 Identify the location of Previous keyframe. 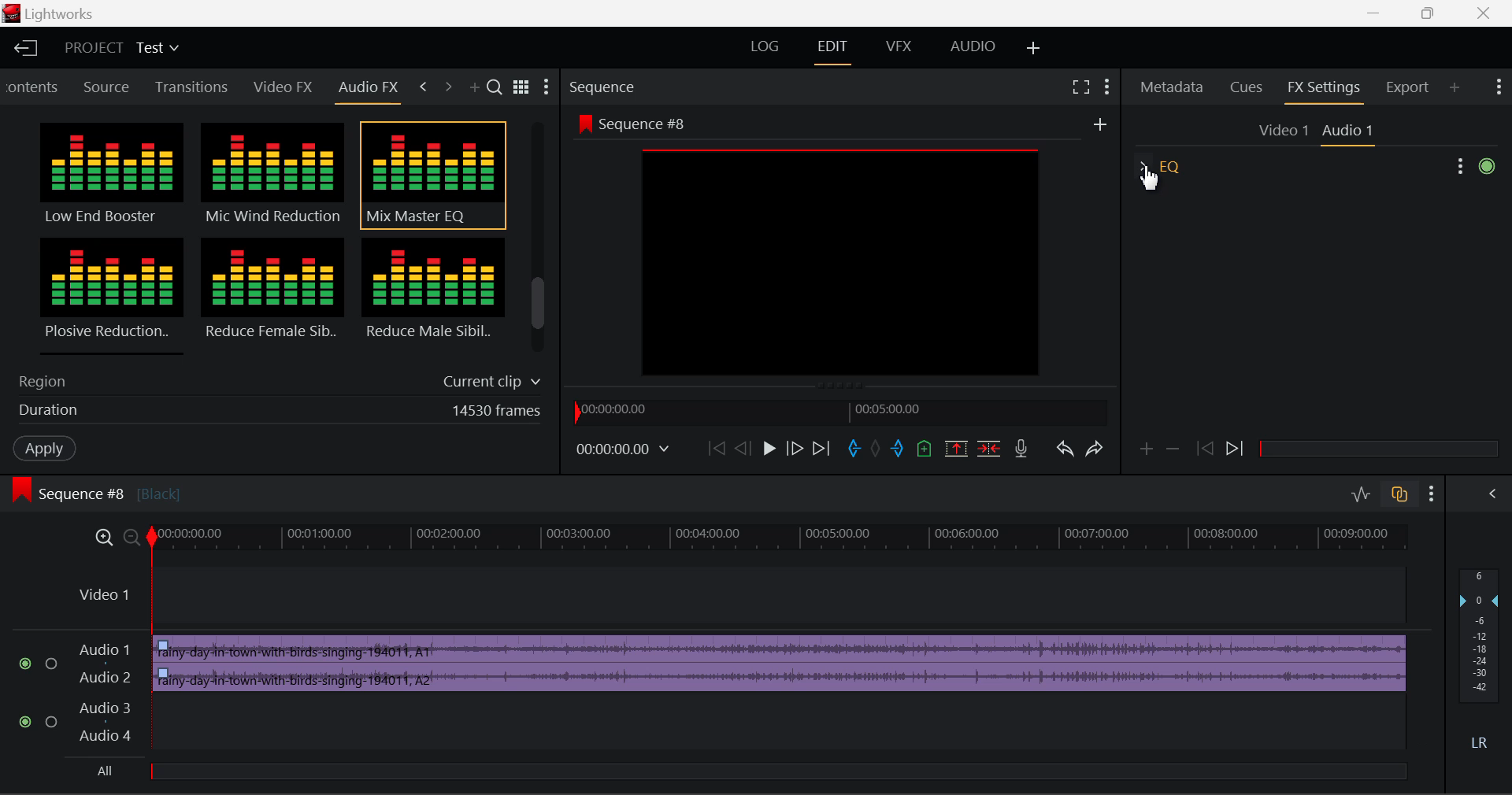
(1208, 449).